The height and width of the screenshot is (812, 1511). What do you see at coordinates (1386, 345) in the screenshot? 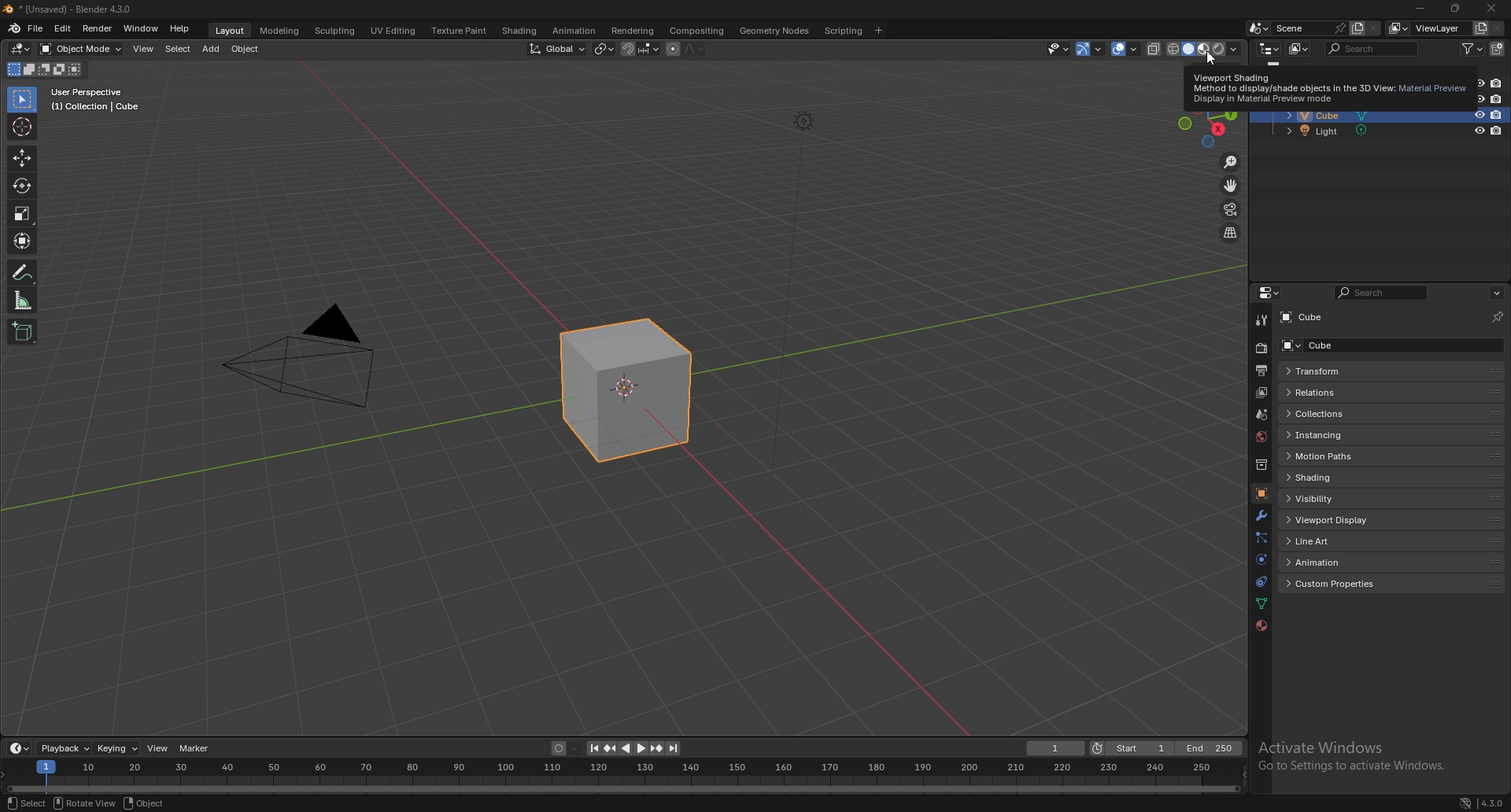
I see `cube` at bounding box center [1386, 345].